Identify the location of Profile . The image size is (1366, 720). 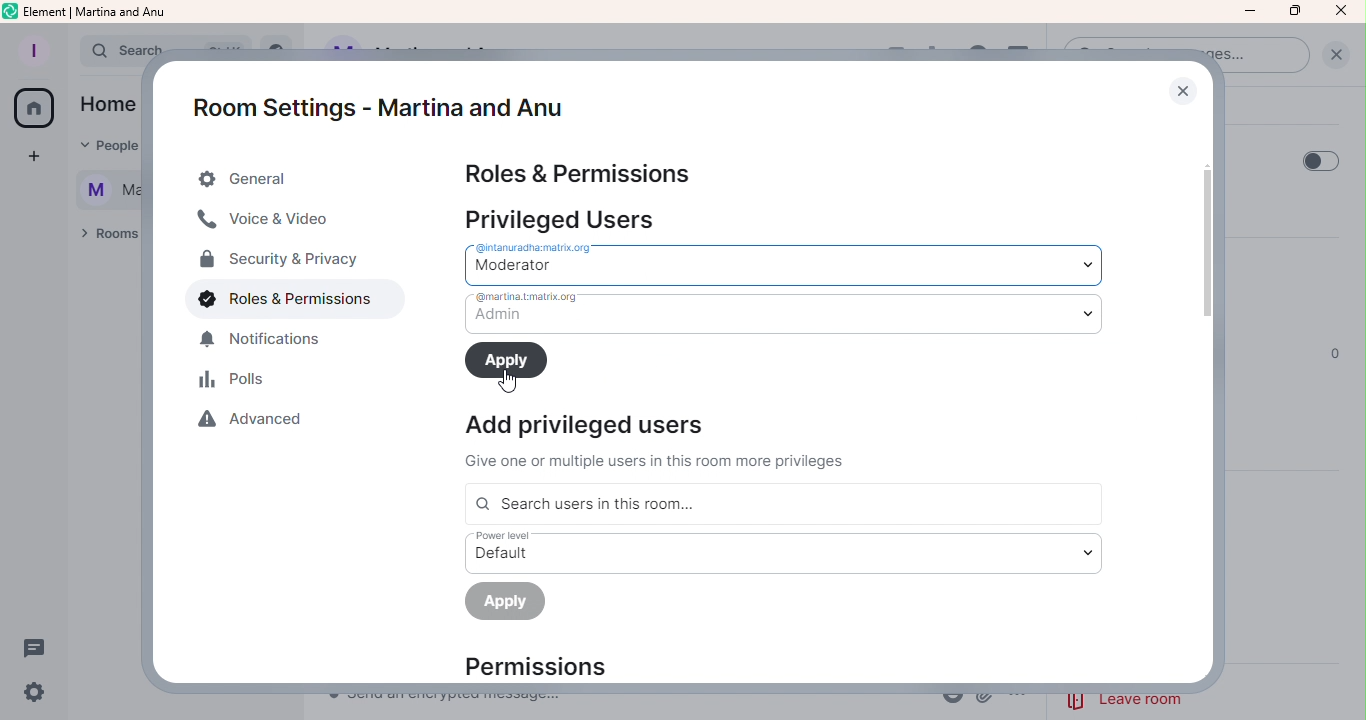
(33, 47).